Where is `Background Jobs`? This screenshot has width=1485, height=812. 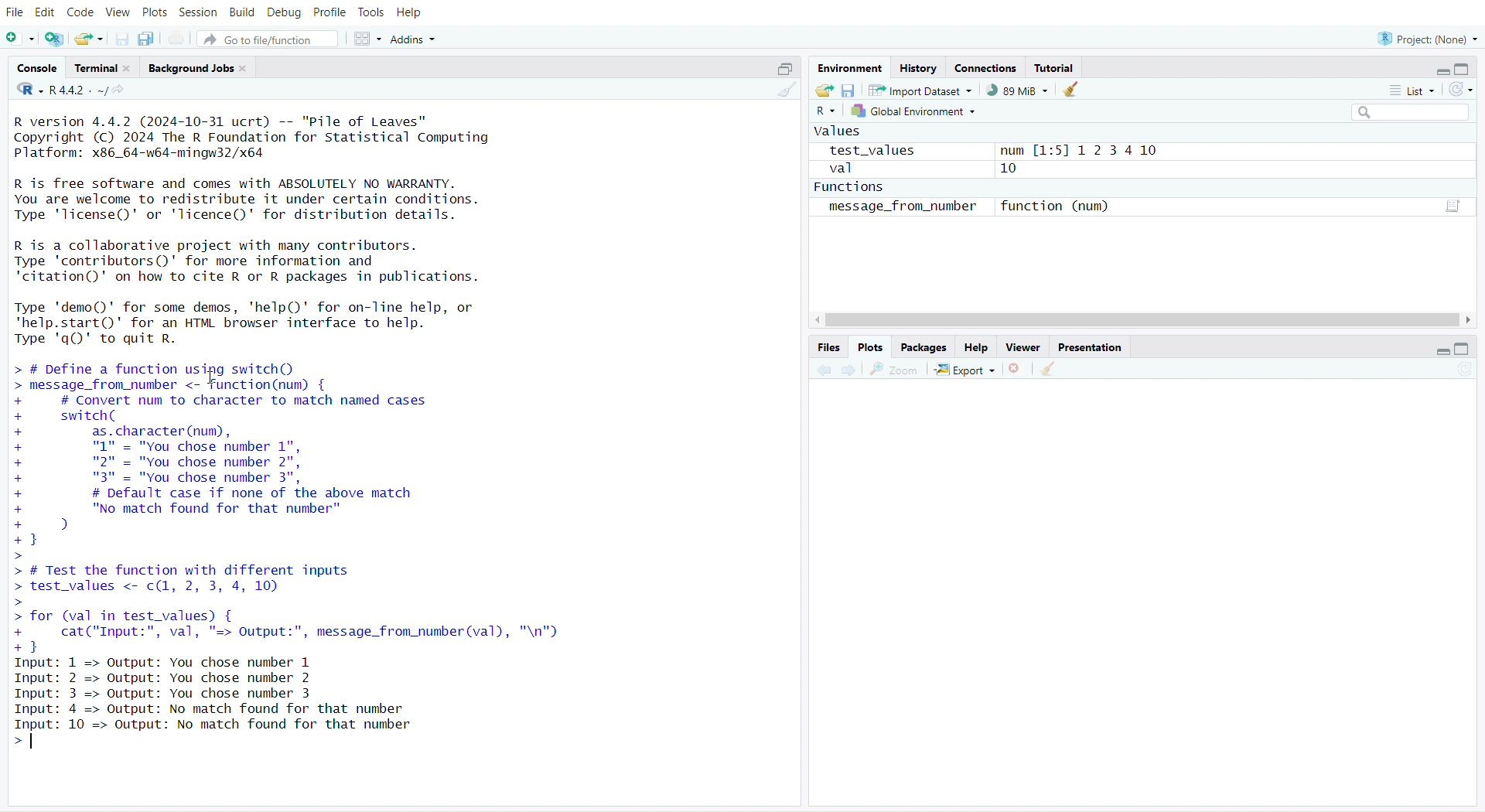 Background Jobs is located at coordinates (198, 65).